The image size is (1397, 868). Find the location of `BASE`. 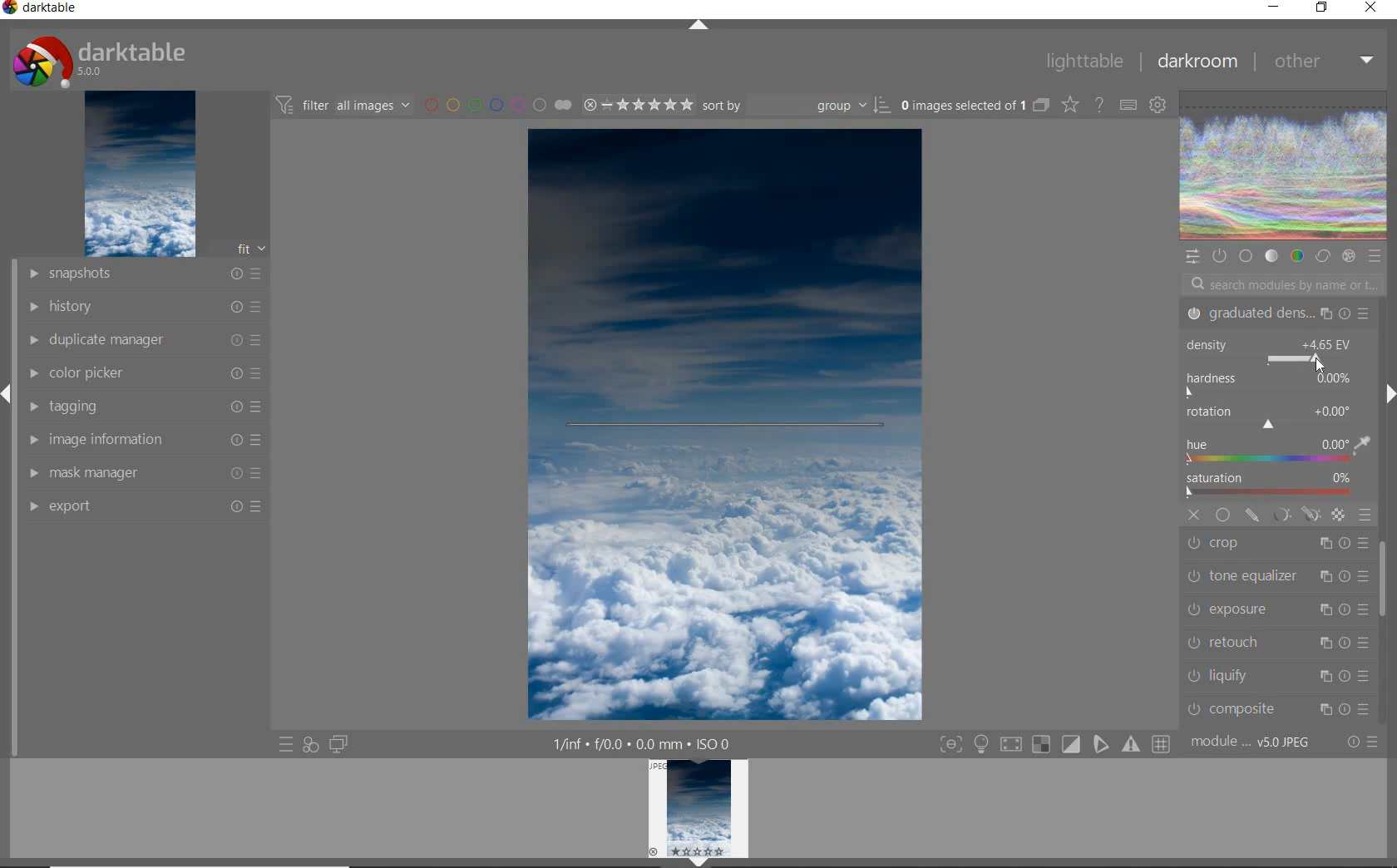

BASE is located at coordinates (1247, 256).